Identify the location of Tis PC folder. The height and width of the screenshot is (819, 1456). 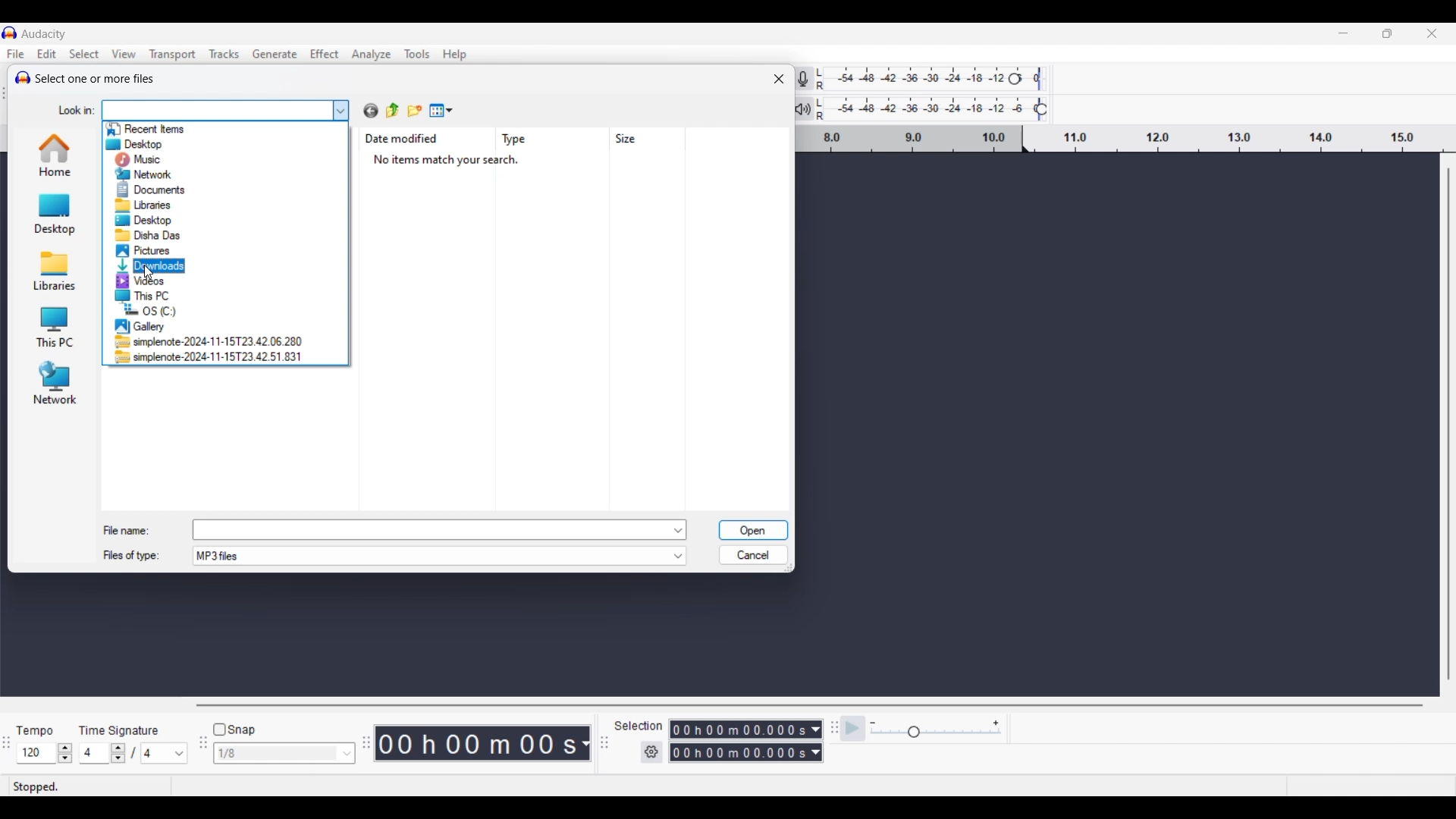
(53, 328).